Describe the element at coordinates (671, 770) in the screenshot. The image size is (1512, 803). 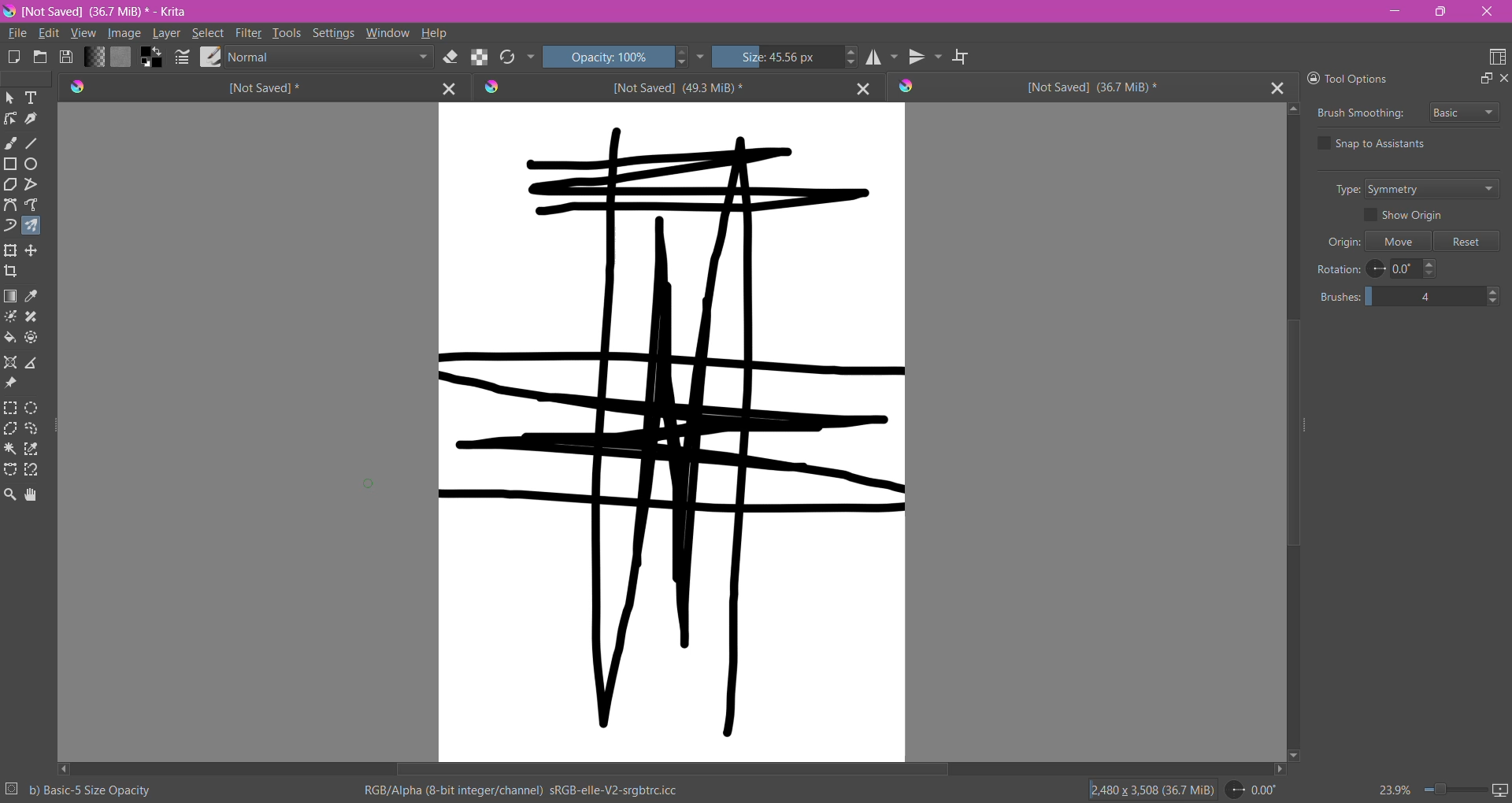
I see `Horizontal Scroll Bar` at that location.